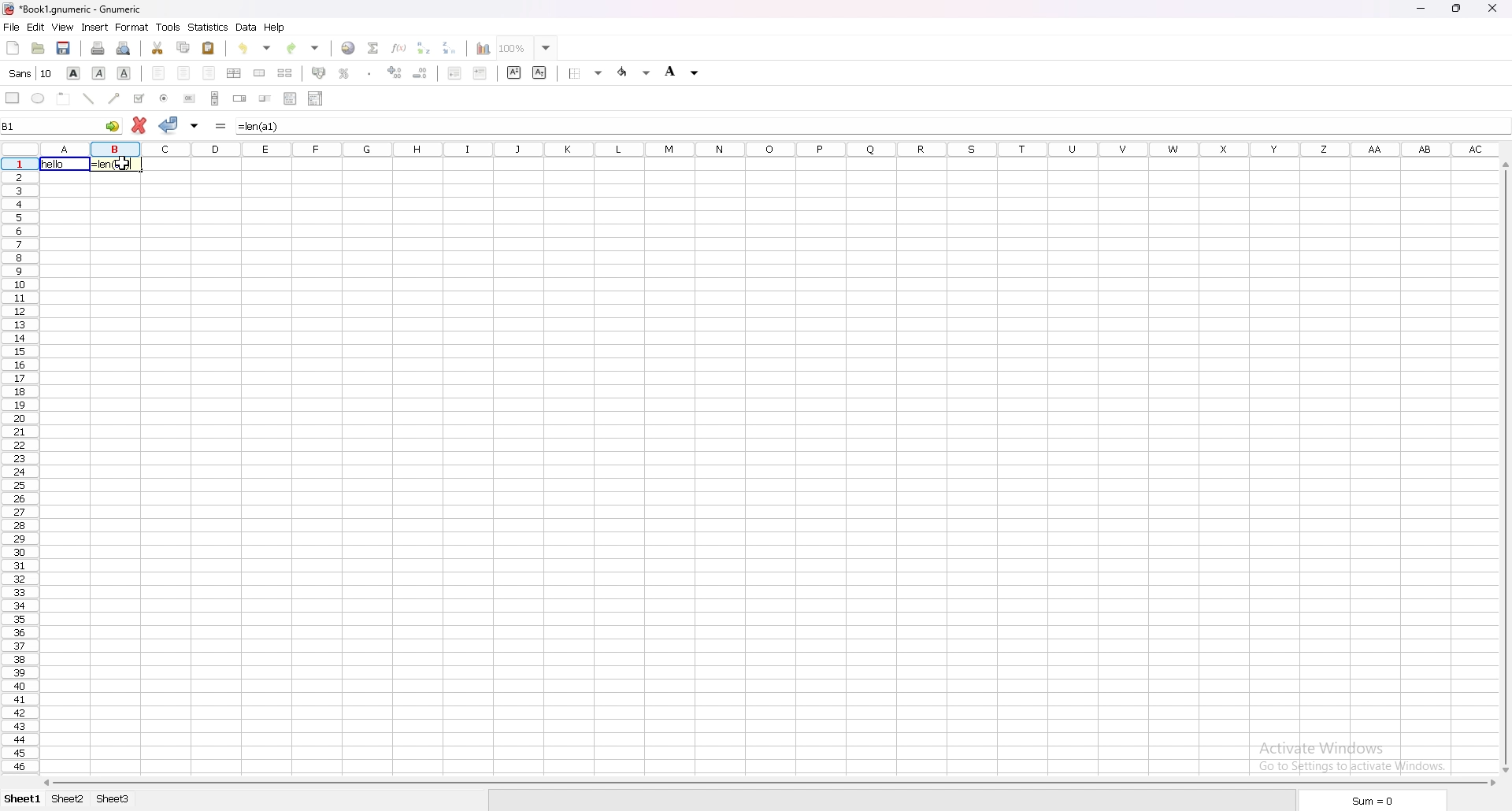 The width and height of the screenshot is (1512, 811). I want to click on checkbox, so click(138, 98).